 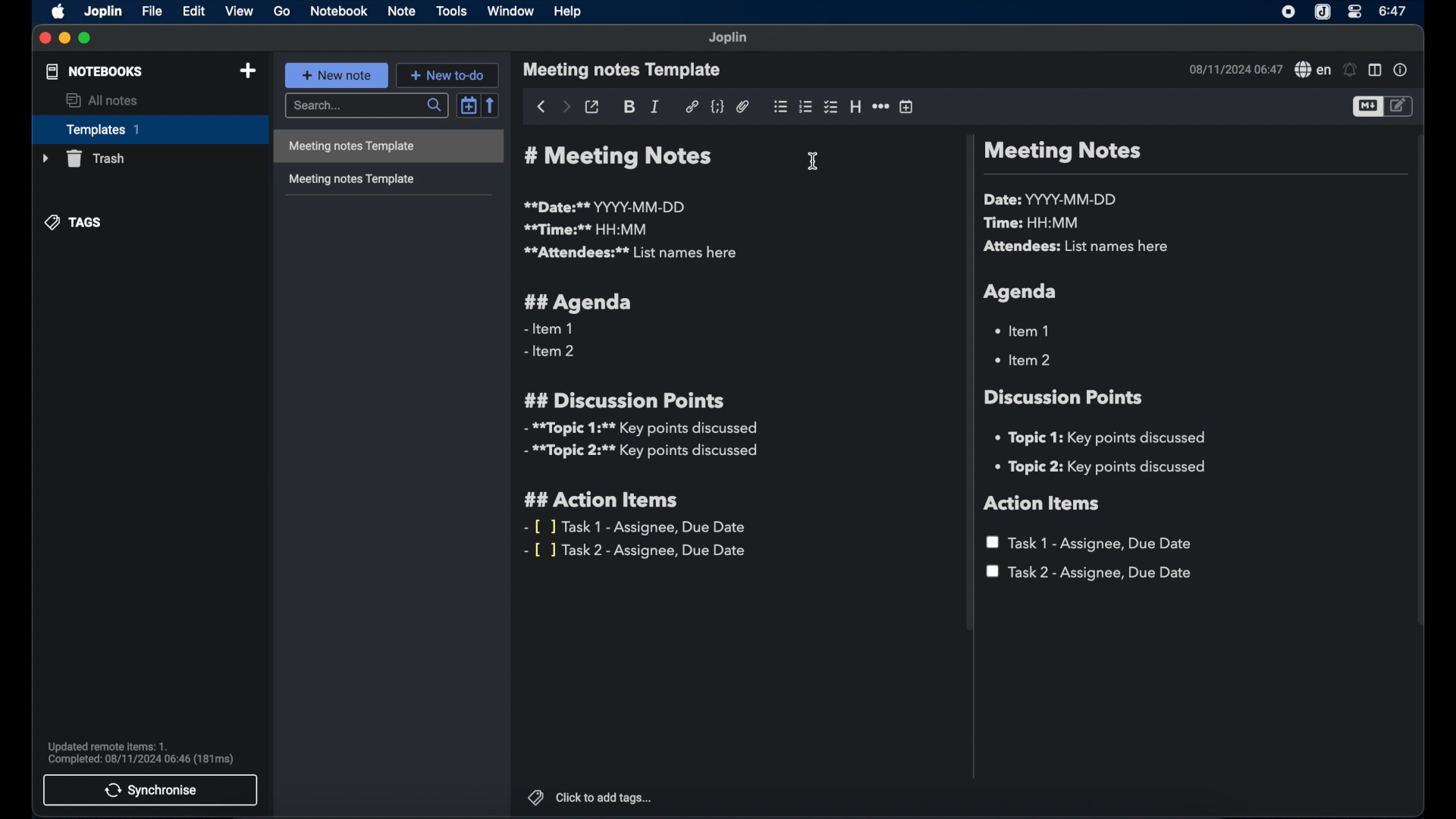 What do you see at coordinates (45, 39) in the screenshot?
I see `close` at bounding box center [45, 39].